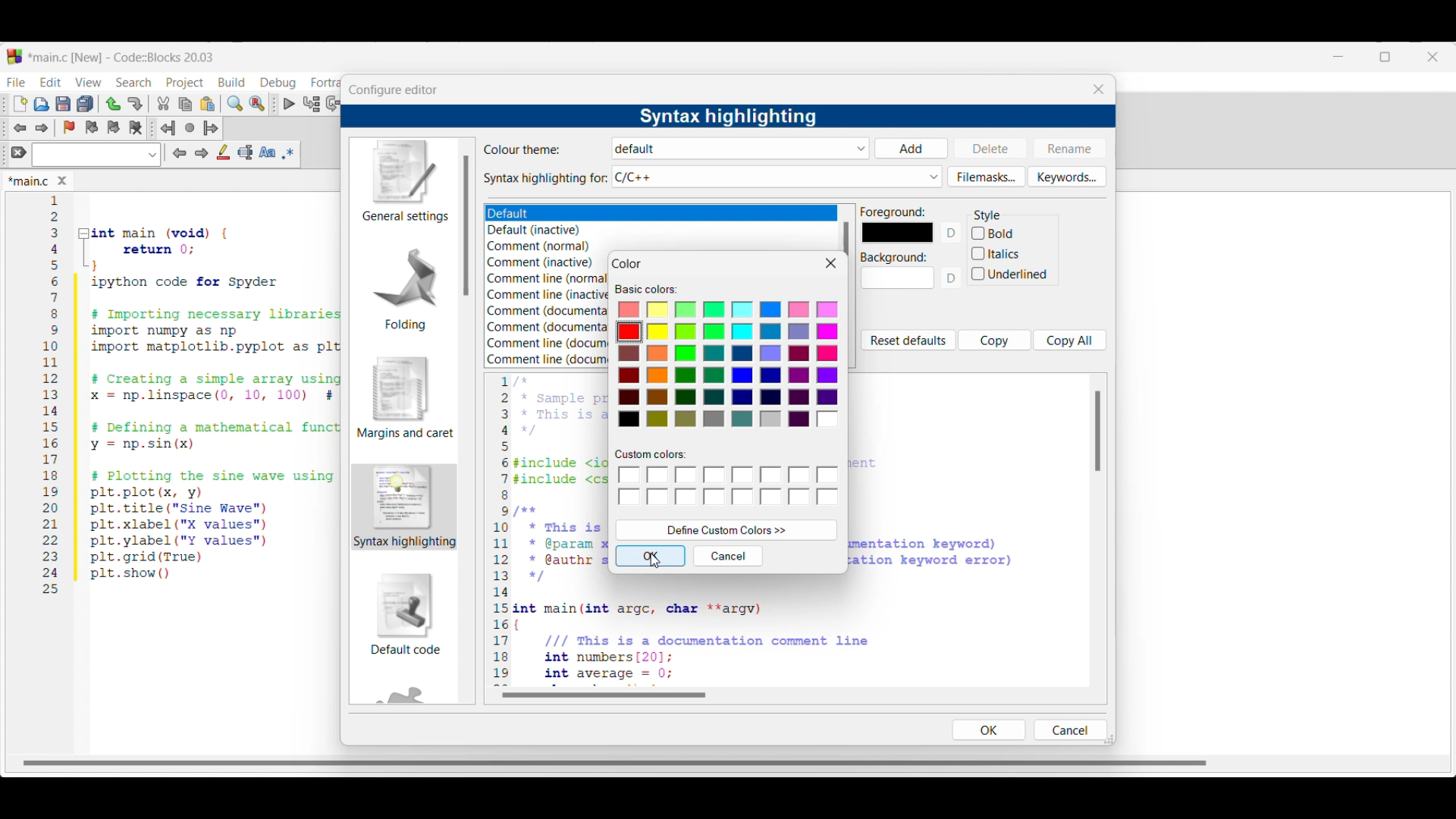 Image resolution: width=1456 pixels, height=819 pixels. I want to click on Clear bookmarks, so click(135, 128).